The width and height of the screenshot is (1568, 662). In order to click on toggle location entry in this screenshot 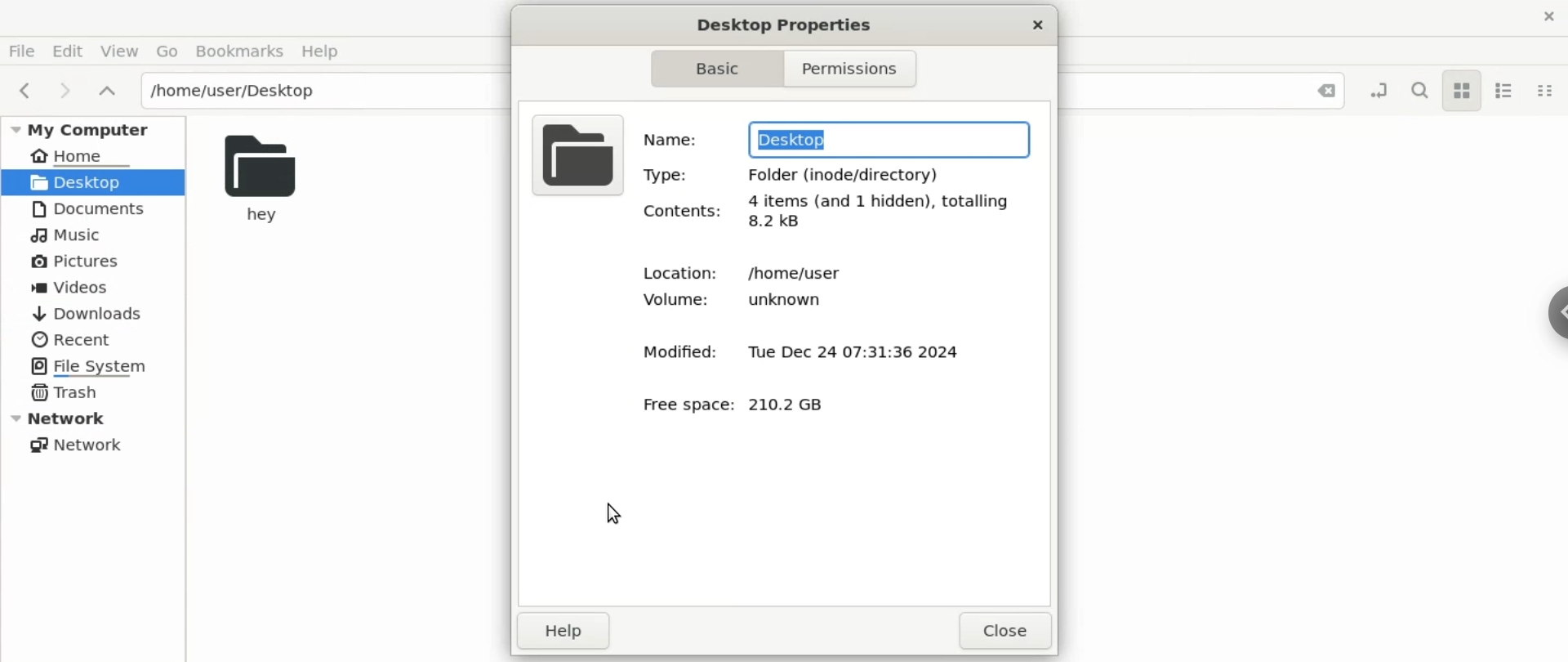, I will do `click(1379, 93)`.